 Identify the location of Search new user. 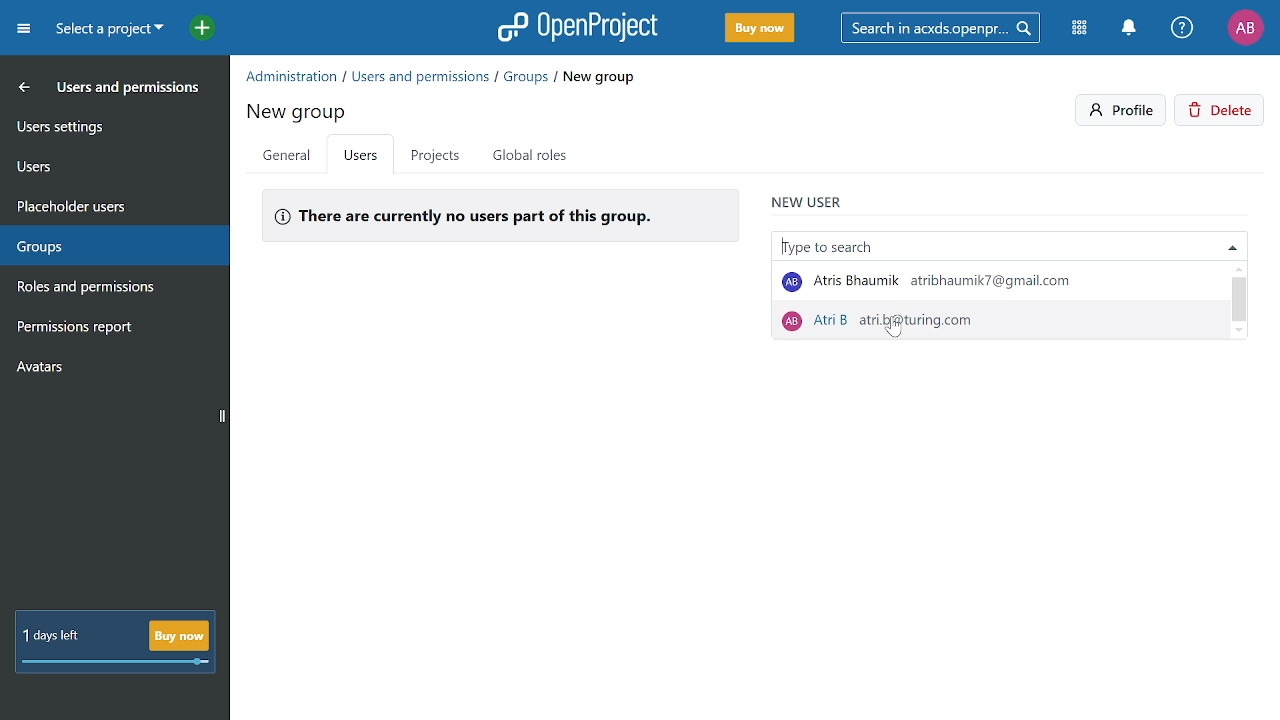
(1008, 243).